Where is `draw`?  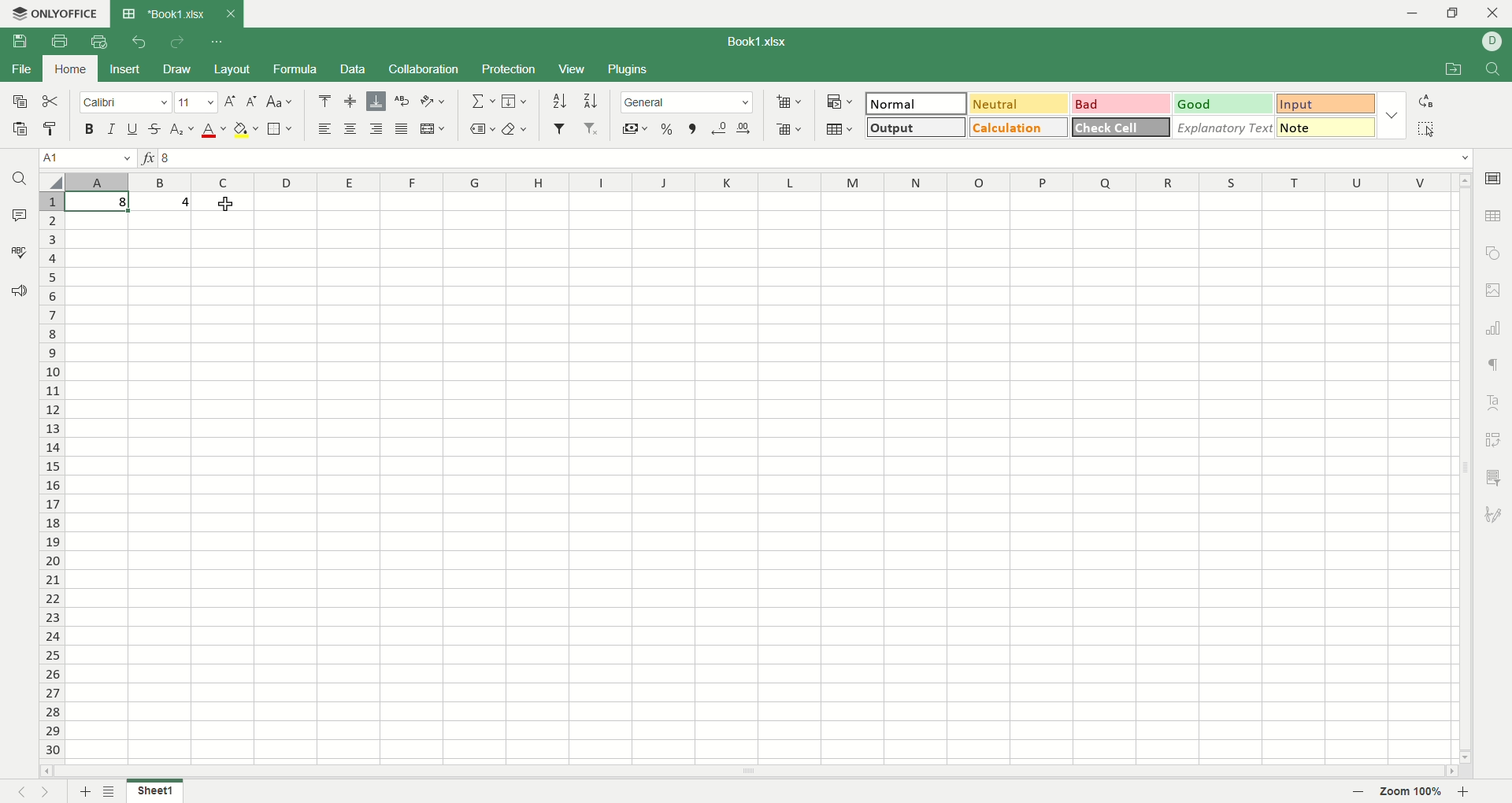
draw is located at coordinates (176, 68).